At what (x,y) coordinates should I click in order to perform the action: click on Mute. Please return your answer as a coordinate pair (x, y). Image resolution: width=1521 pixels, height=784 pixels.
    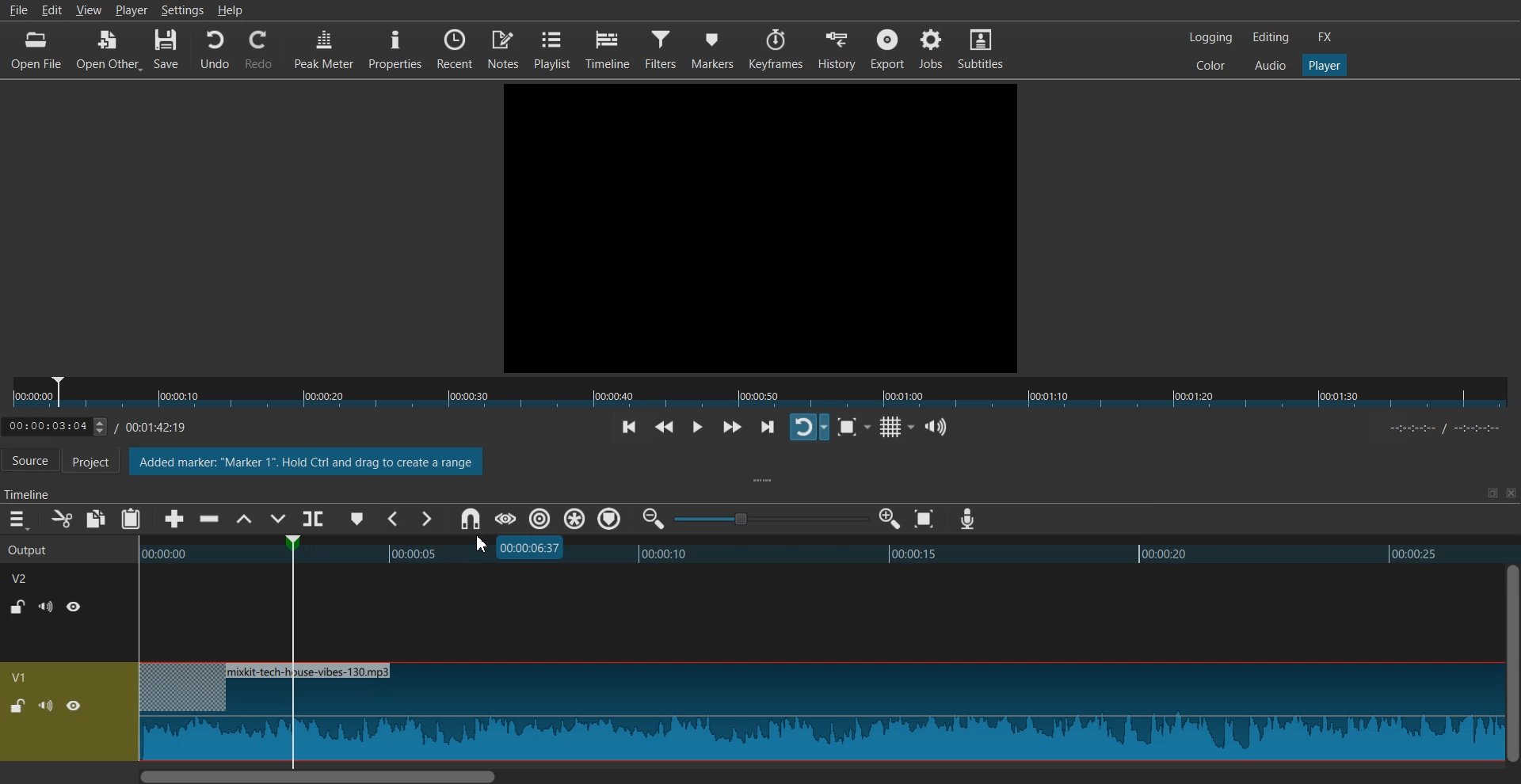
    Looking at the image, I should click on (46, 705).